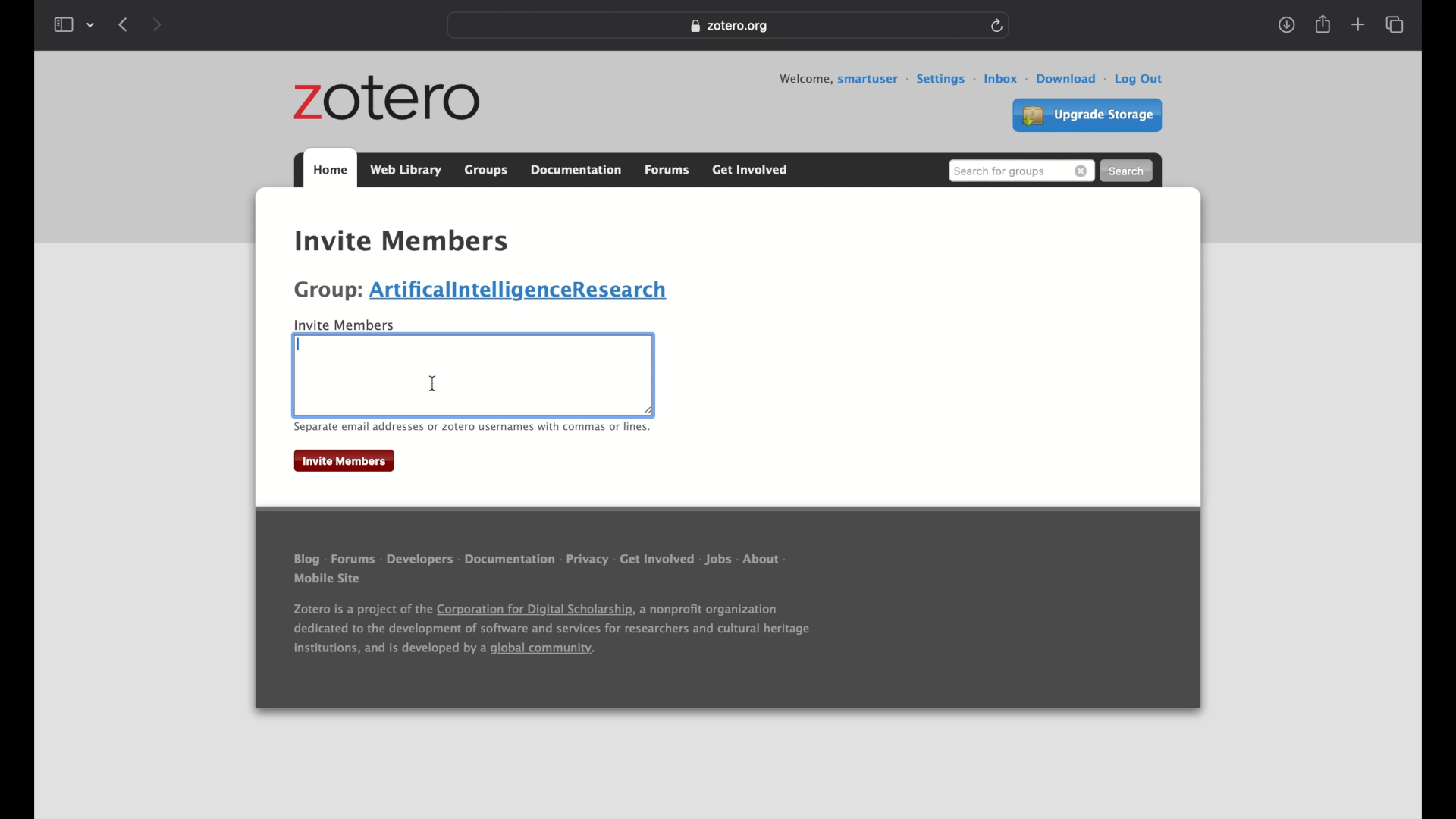 Image resolution: width=1456 pixels, height=819 pixels. Describe the element at coordinates (668, 171) in the screenshot. I see `forums` at that location.